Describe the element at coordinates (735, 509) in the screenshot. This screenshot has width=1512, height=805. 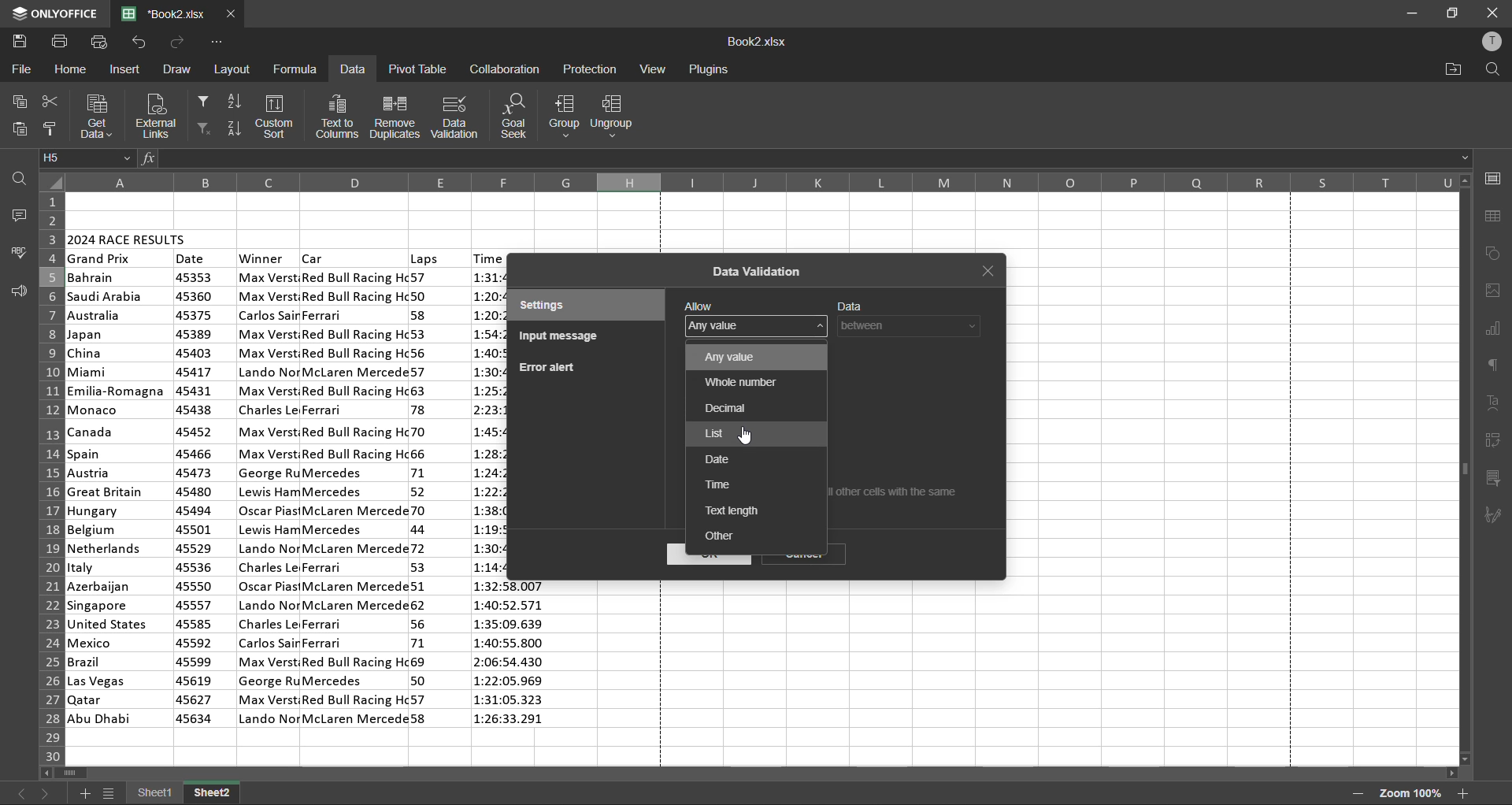
I see `text length` at that location.